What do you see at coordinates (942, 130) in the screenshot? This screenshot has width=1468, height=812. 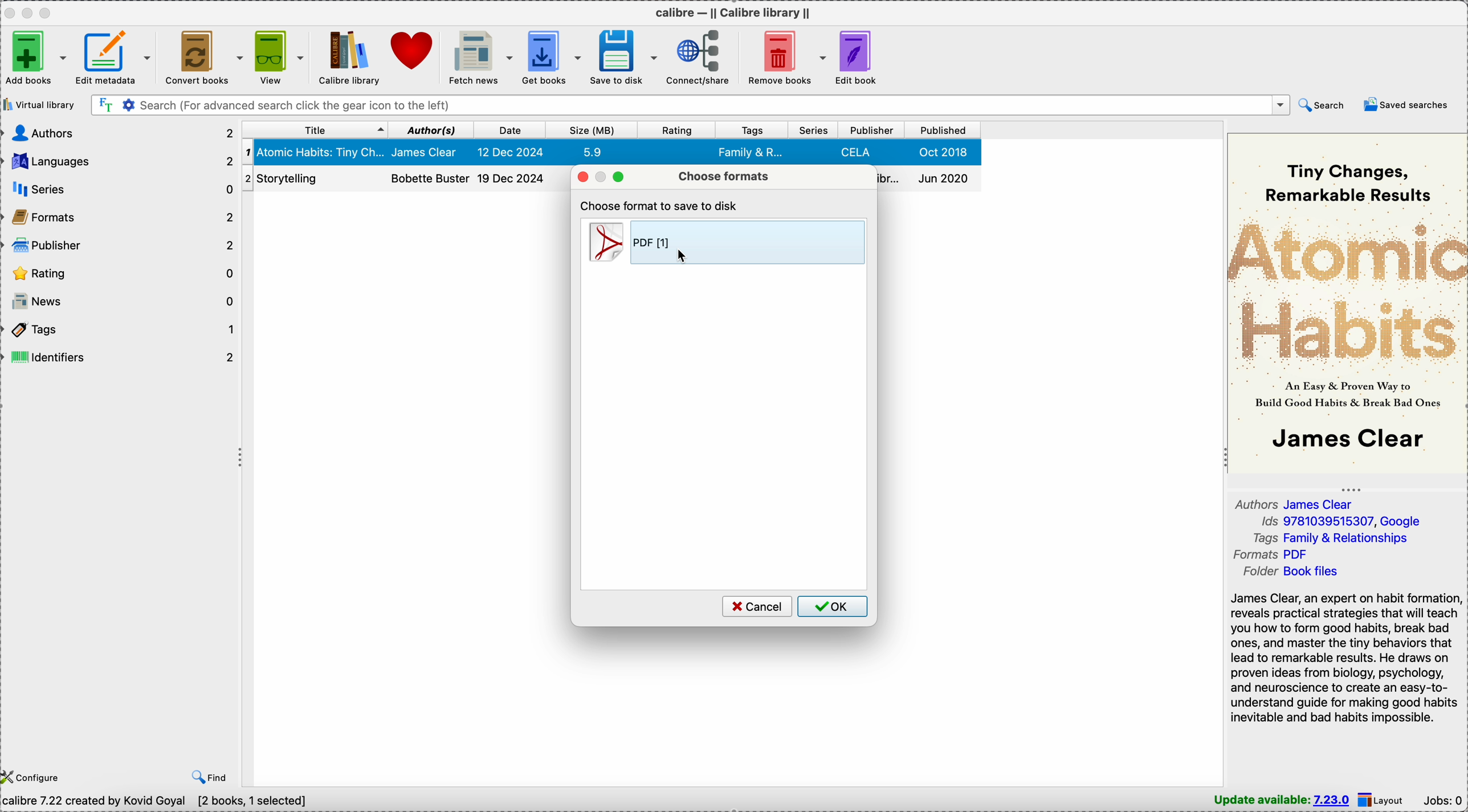 I see `published` at bounding box center [942, 130].